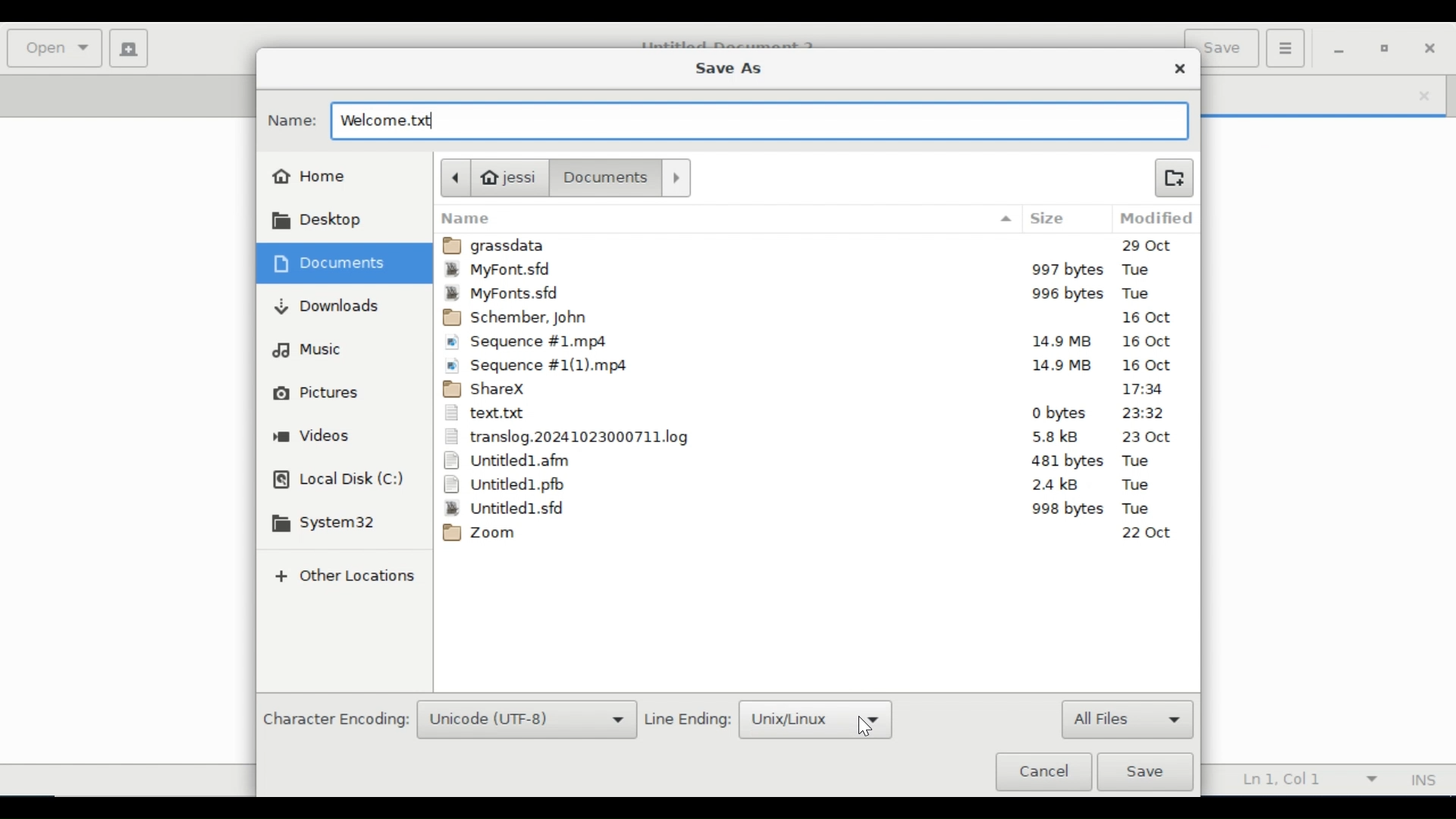  I want to click on Save, so click(1145, 772).